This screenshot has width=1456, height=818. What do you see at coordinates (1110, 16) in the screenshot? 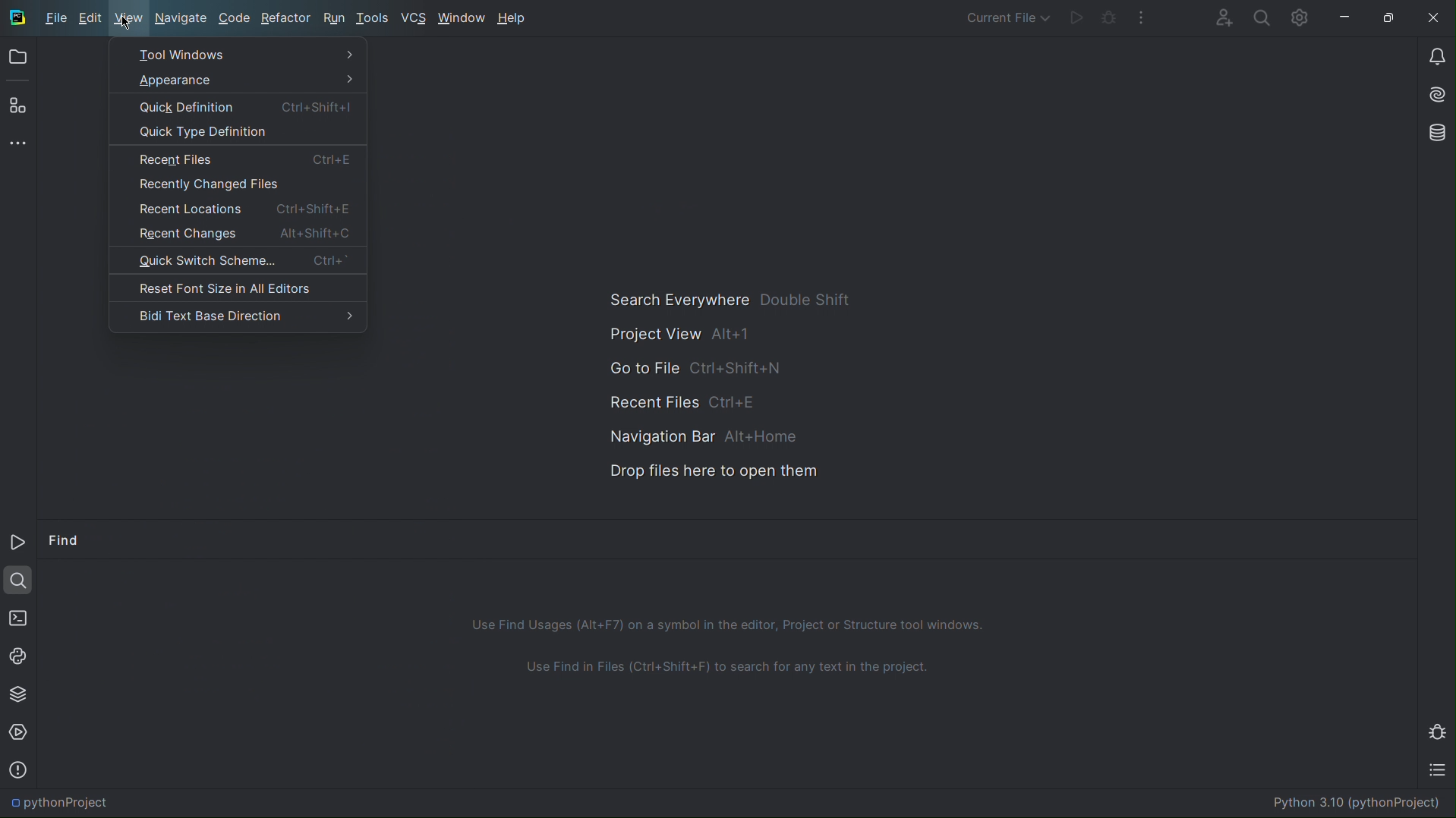
I see `Debug` at bounding box center [1110, 16].